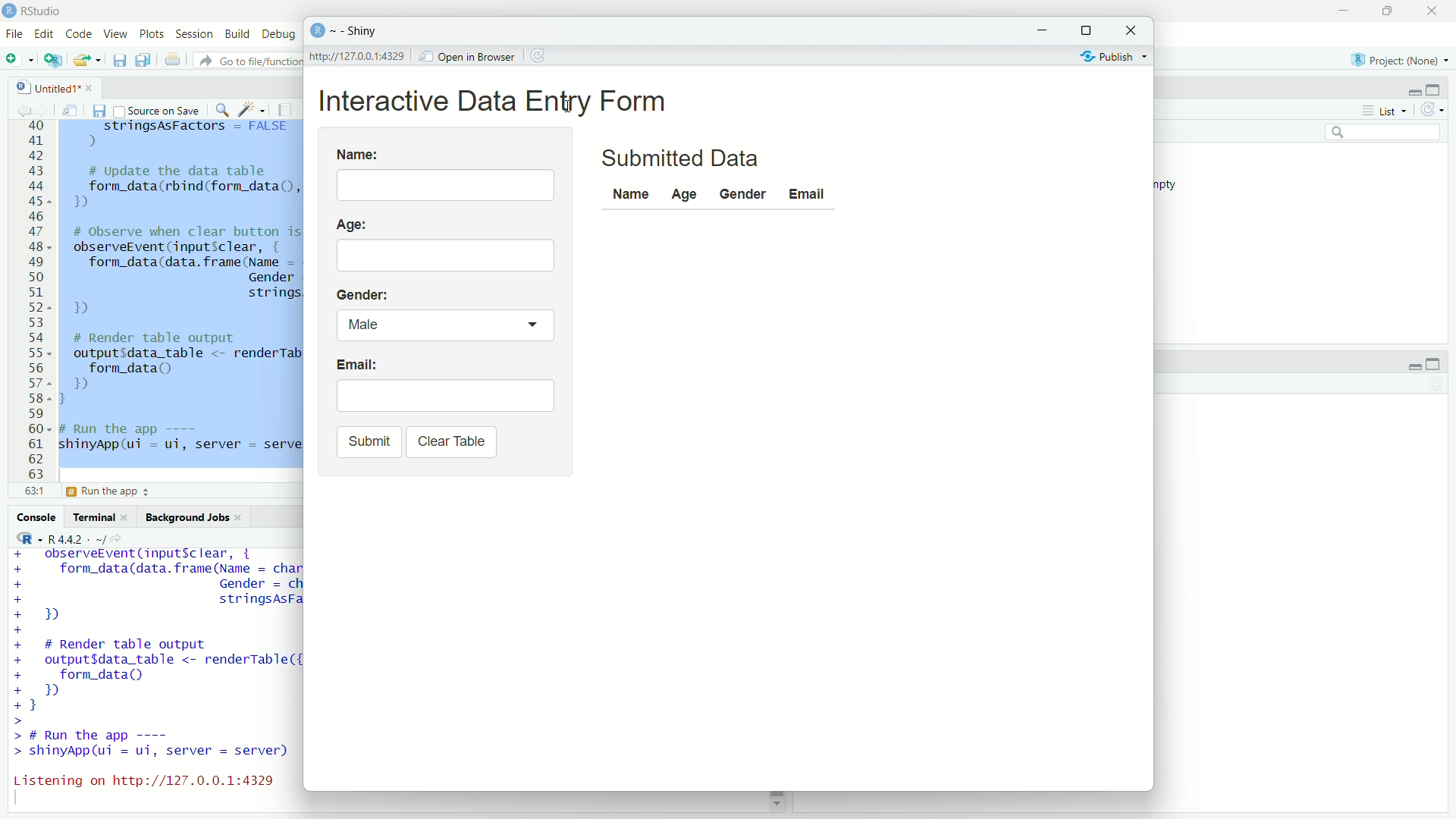 The image size is (1456, 819). I want to click on Code, so click(80, 33).